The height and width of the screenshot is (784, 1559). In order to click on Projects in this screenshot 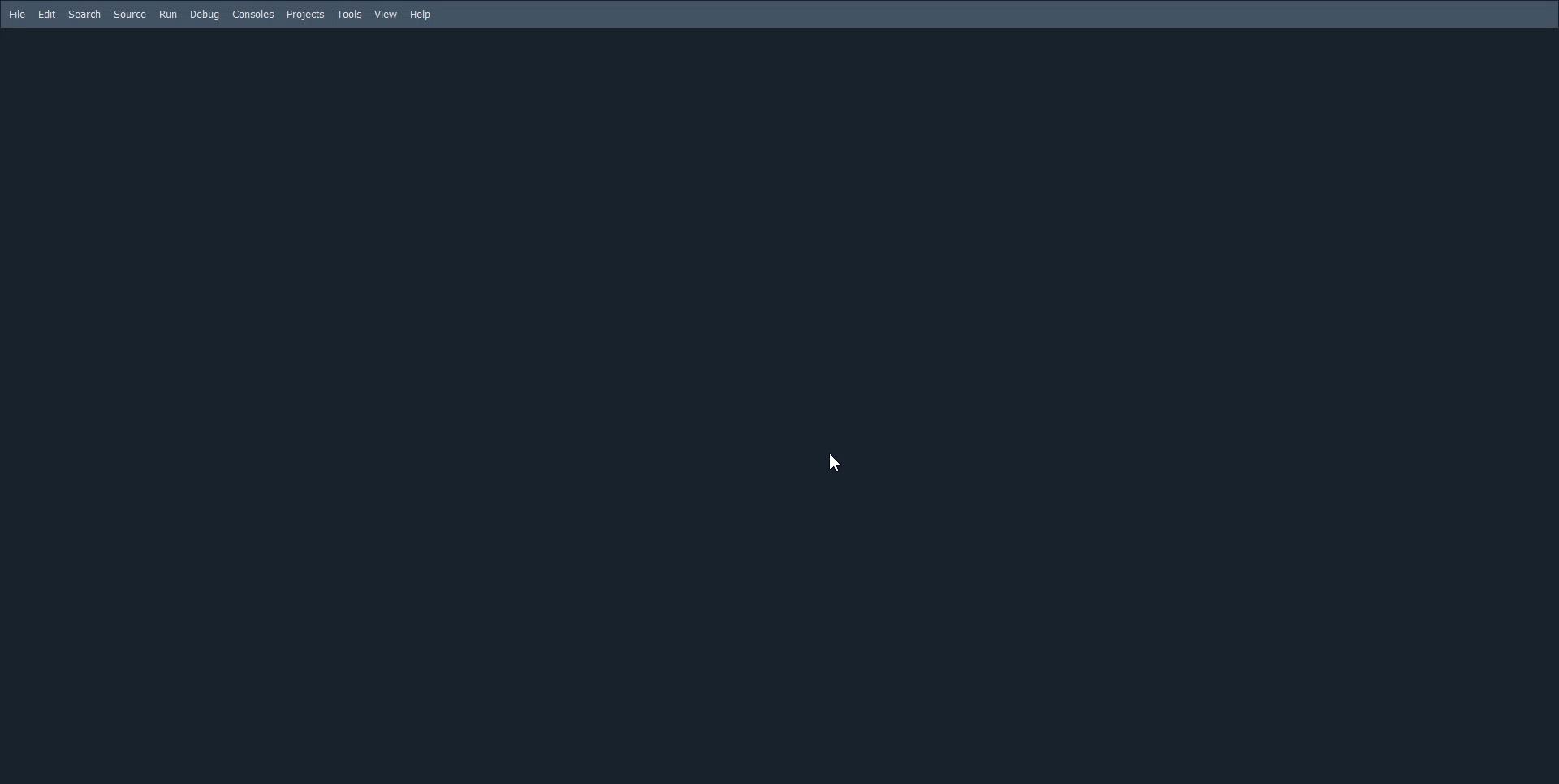, I will do `click(305, 15)`.